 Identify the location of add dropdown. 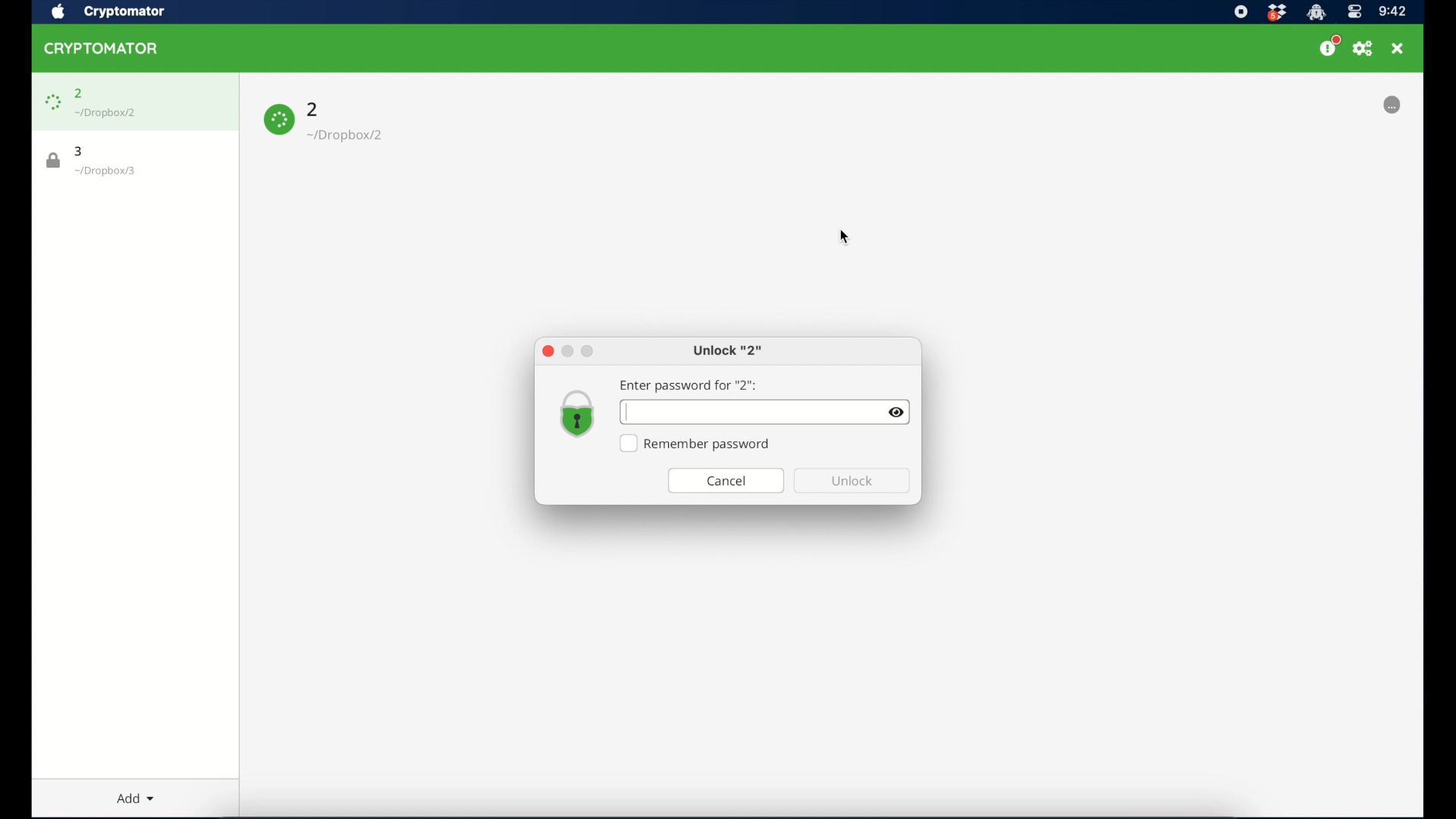
(130, 795).